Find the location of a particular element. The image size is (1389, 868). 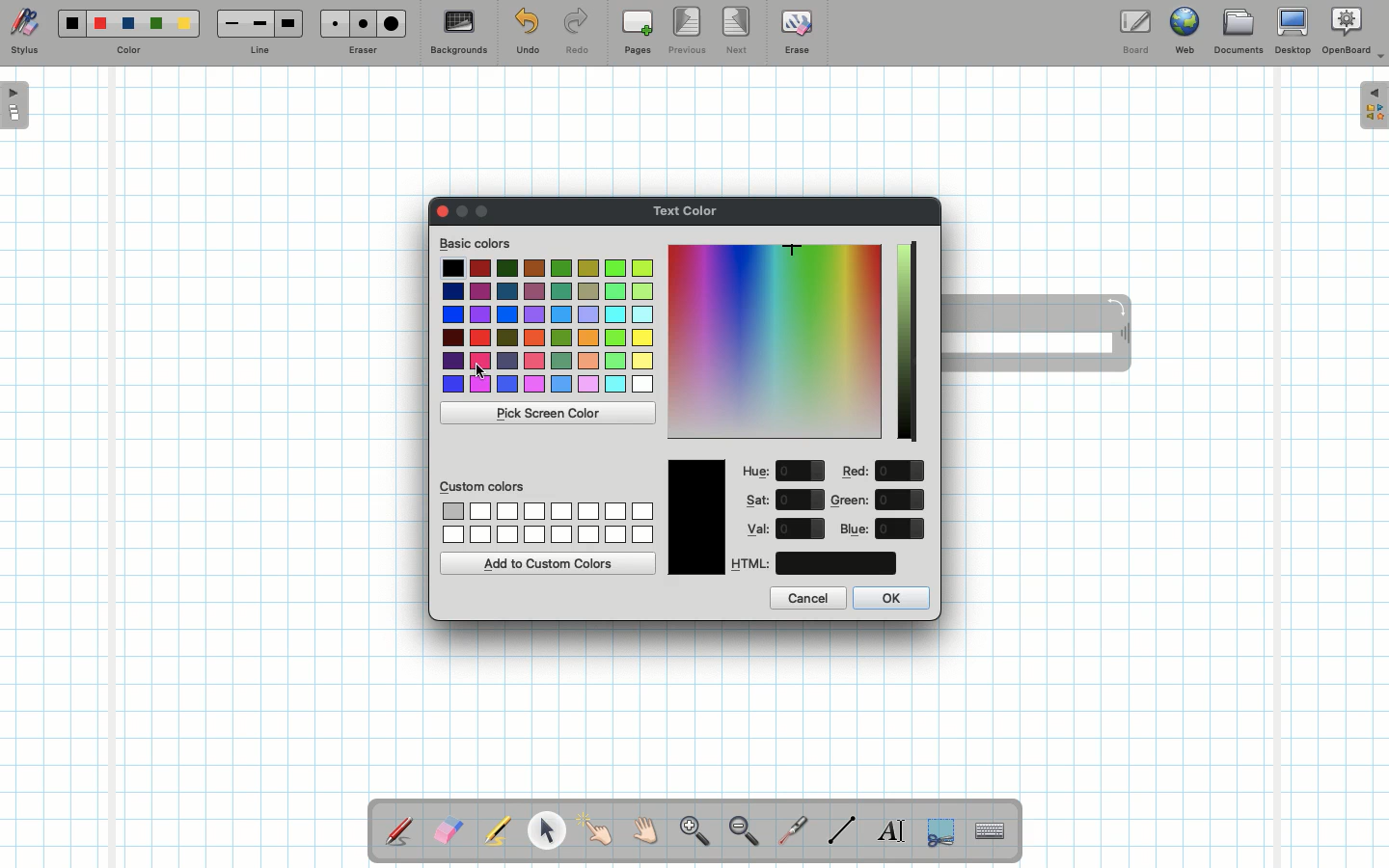

Medium eraser is located at coordinates (360, 23).